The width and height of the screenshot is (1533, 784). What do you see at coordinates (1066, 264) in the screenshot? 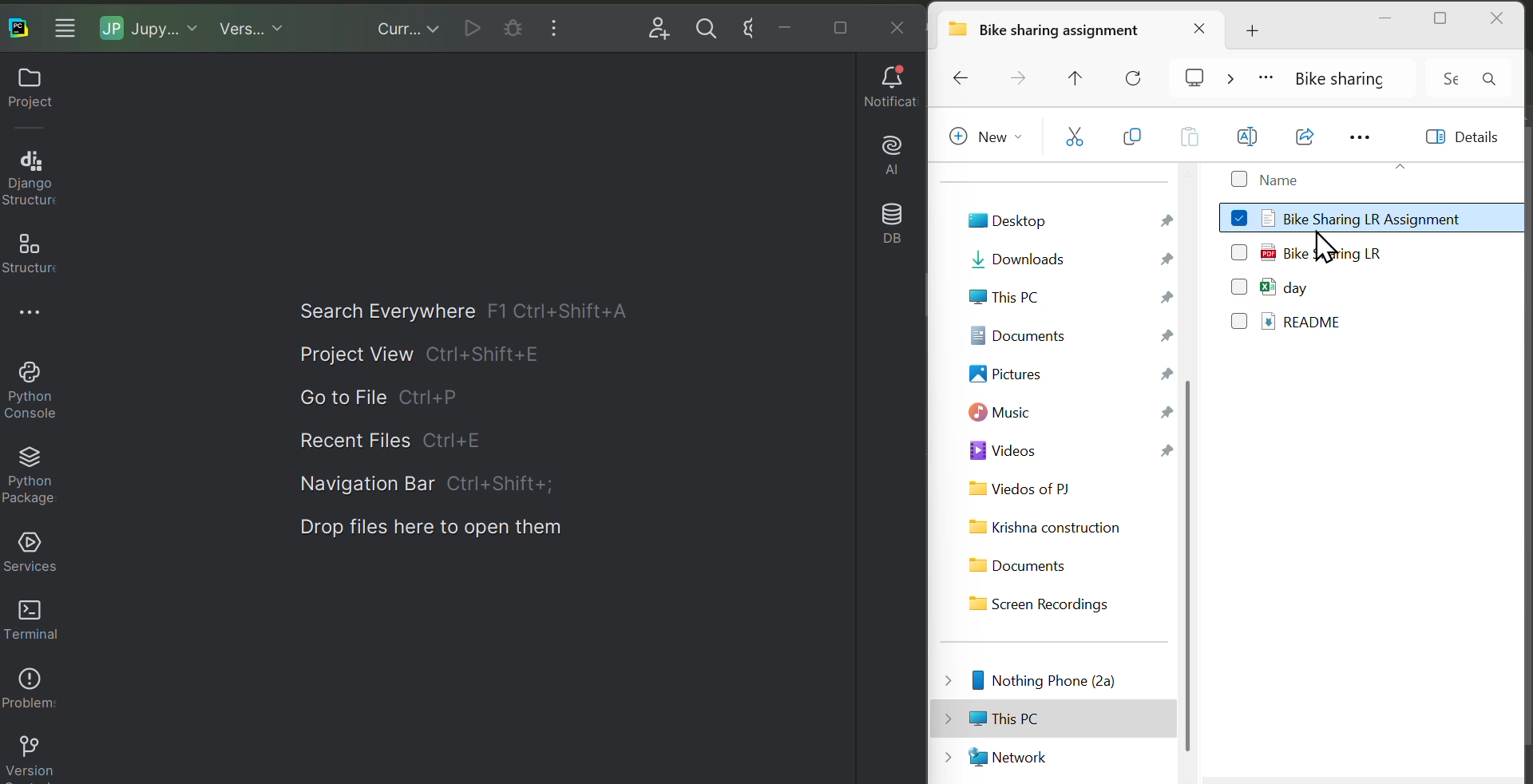
I see `Downloads` at bounding box center [1066, 264].